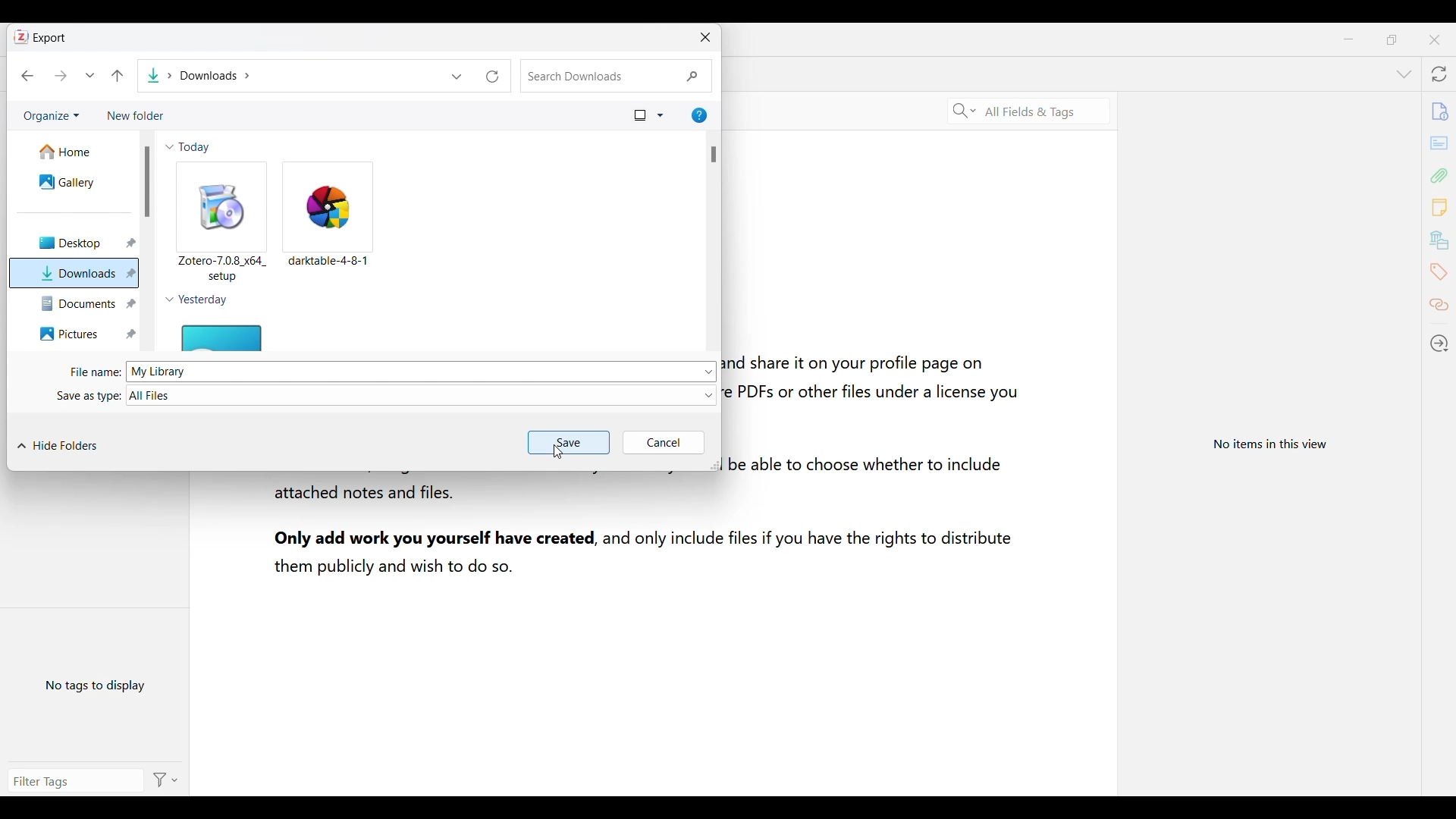  Describe the element at coordinates (965, 111) in the screenshot. I see `Specific search criteria options` at that location.